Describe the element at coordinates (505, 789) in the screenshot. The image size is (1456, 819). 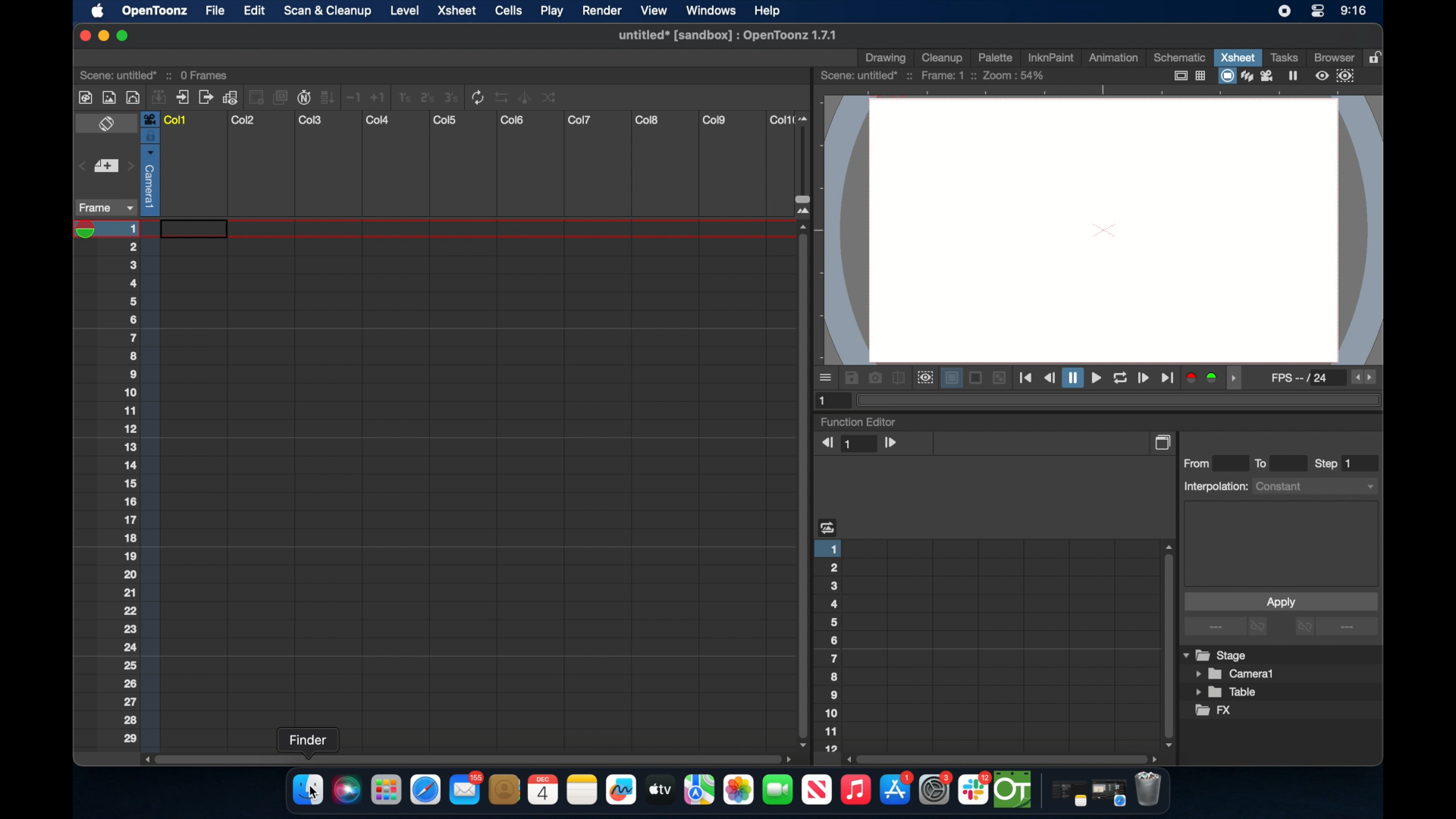
I see `contacts` at that location.